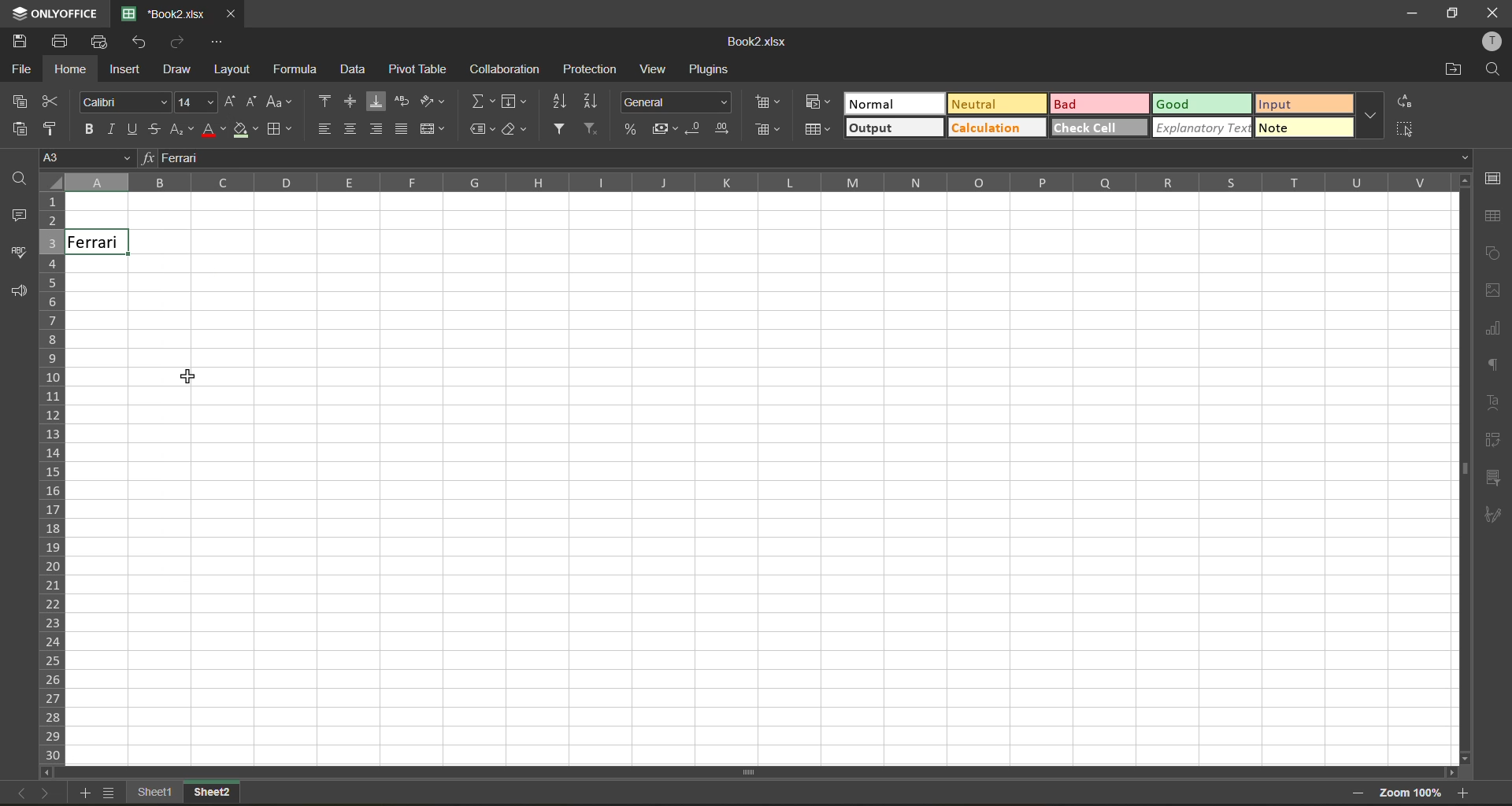 The image size is (1512, 806). I want to click on sheet 2, so click(228, 796).